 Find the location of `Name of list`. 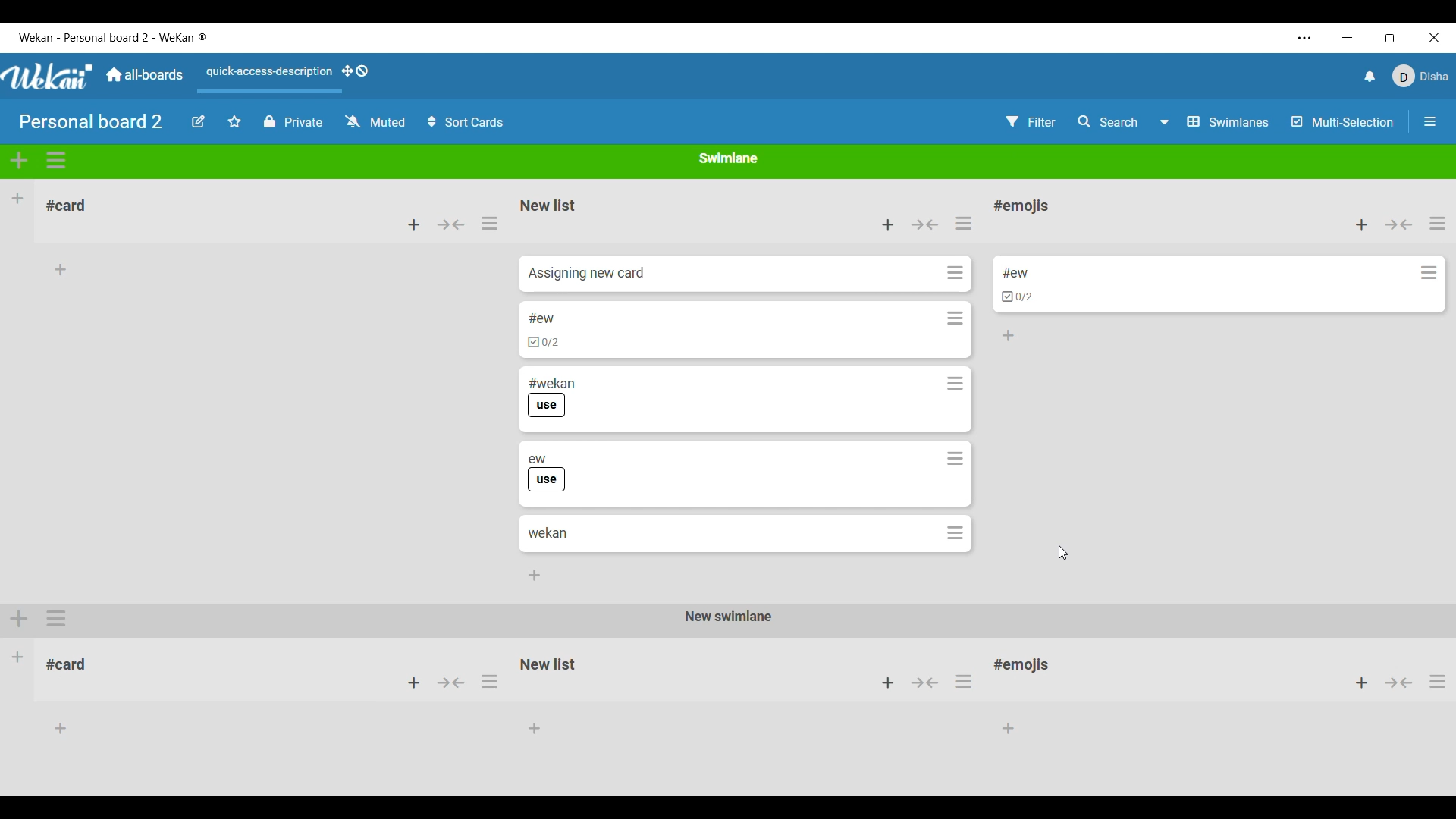

Name of list is located at coordinates (550, 204).